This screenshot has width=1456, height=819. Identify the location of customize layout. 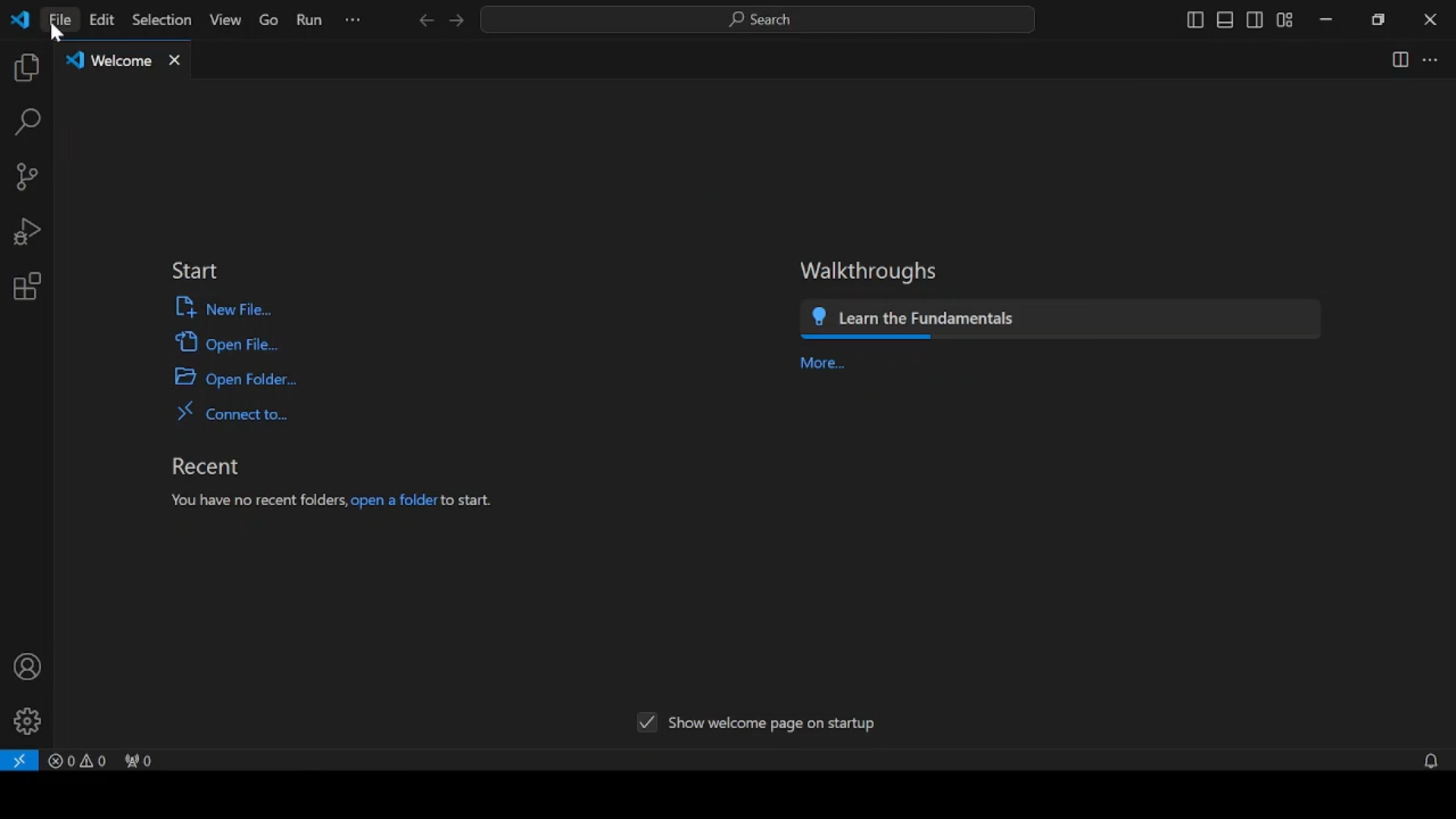
(1285, 20).